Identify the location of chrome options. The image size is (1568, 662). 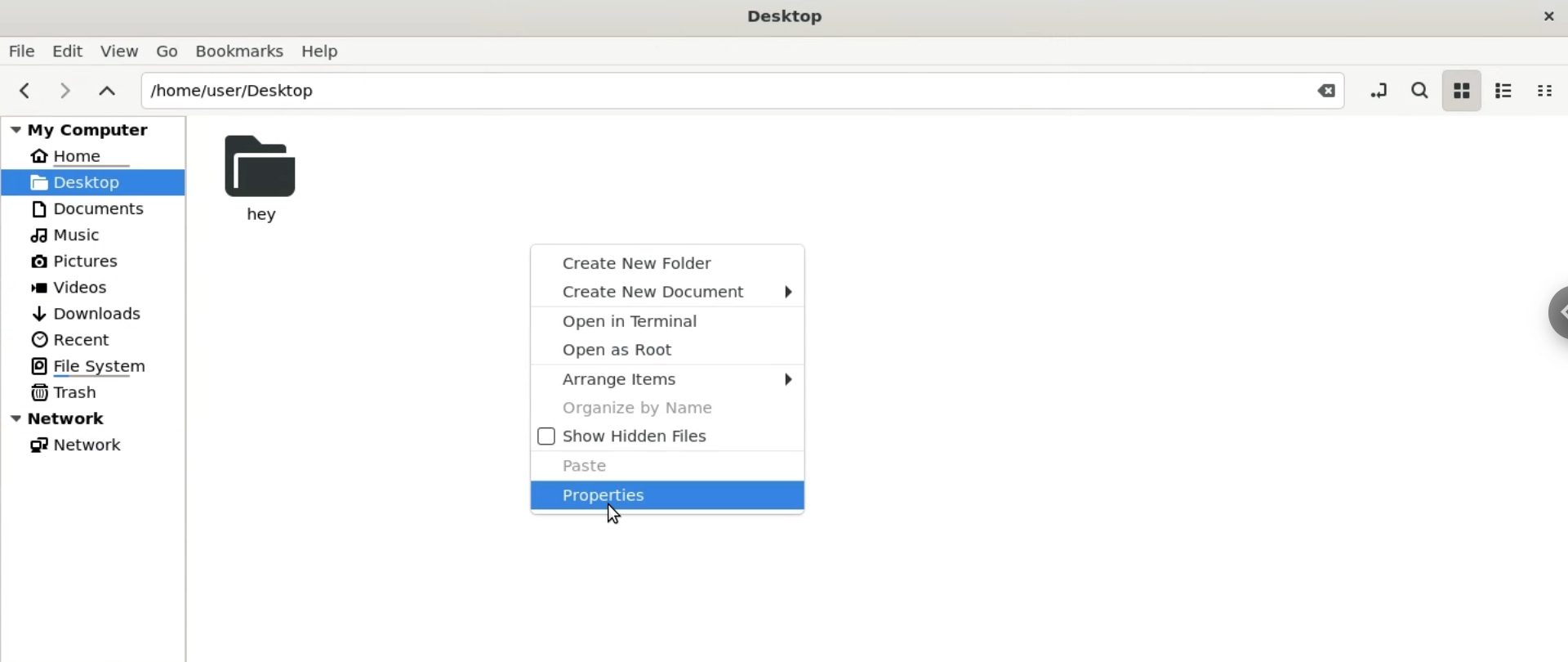
(1558, 314).